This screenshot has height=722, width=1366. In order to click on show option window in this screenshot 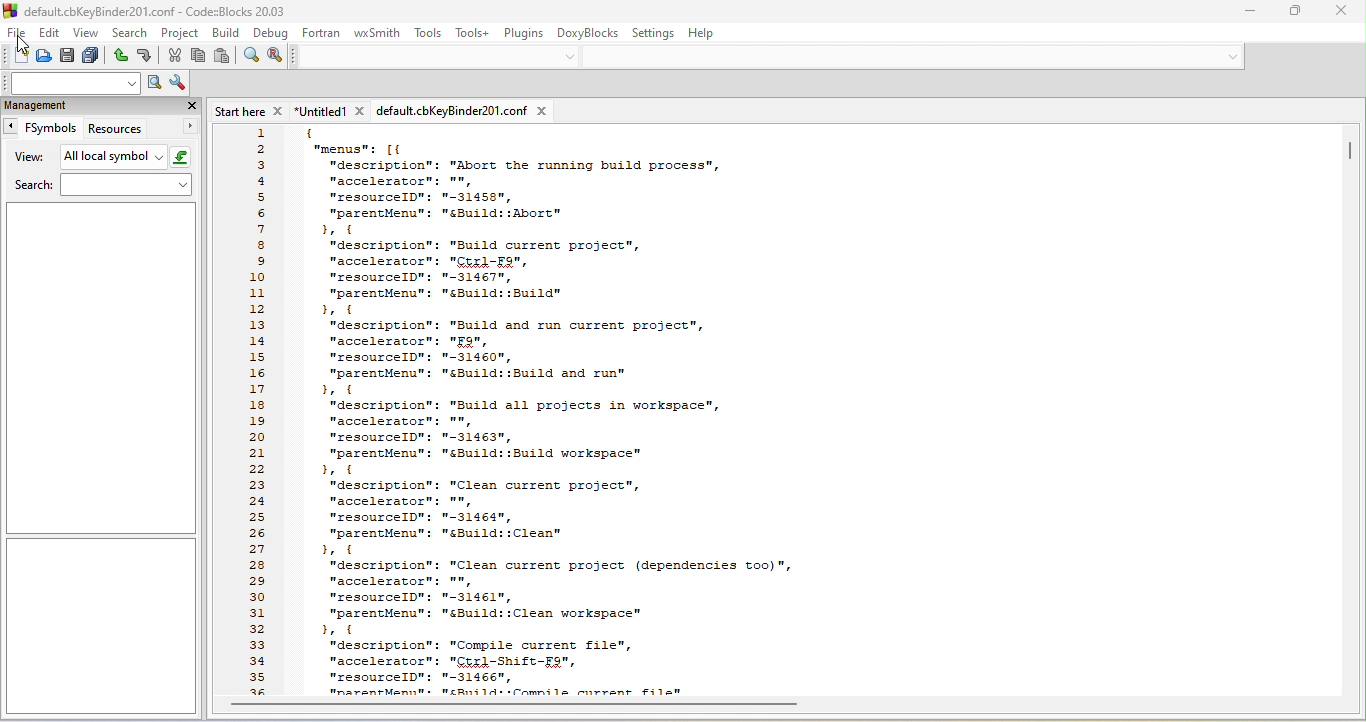, I will do `click(177, 83)`.